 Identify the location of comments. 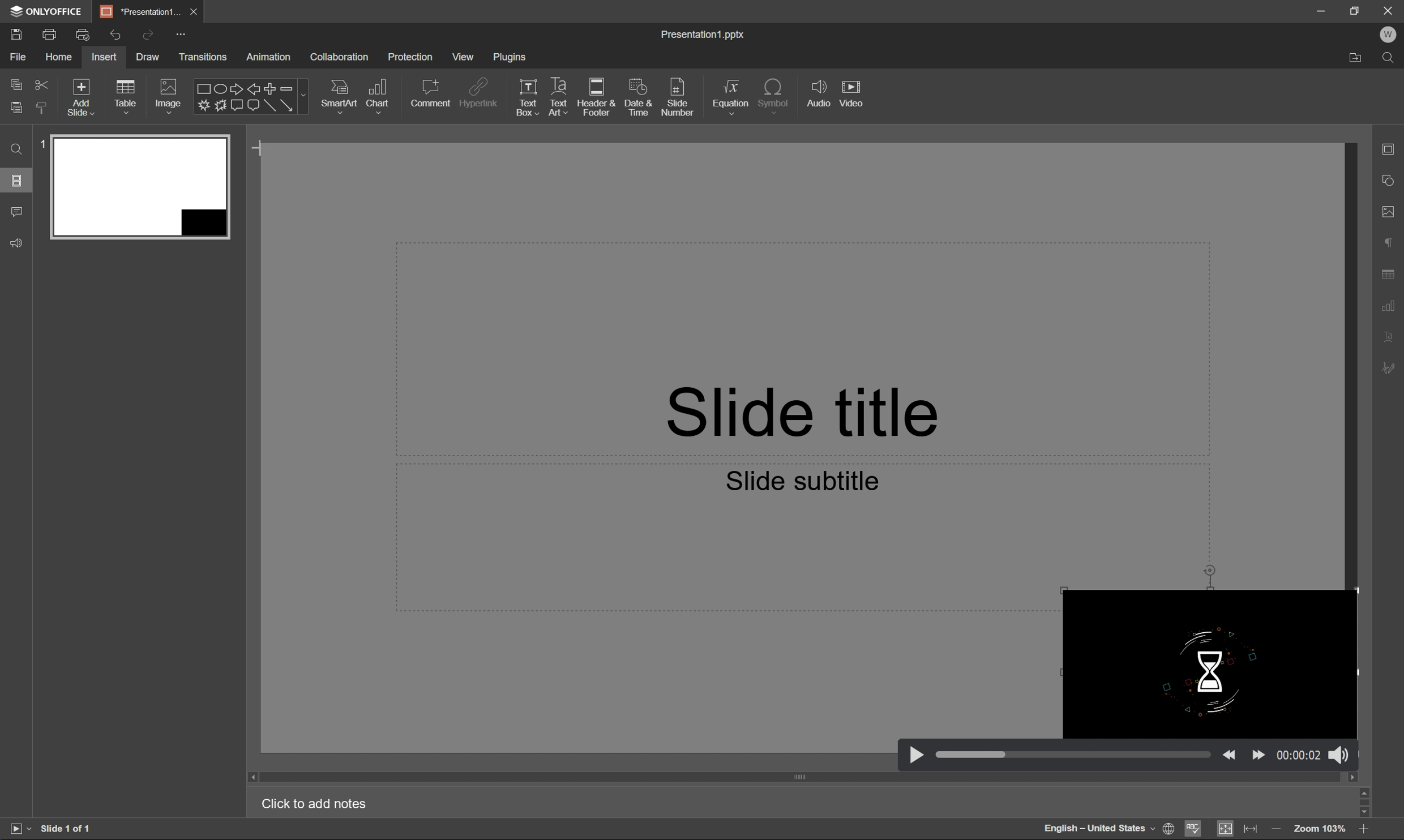
(19, 212).